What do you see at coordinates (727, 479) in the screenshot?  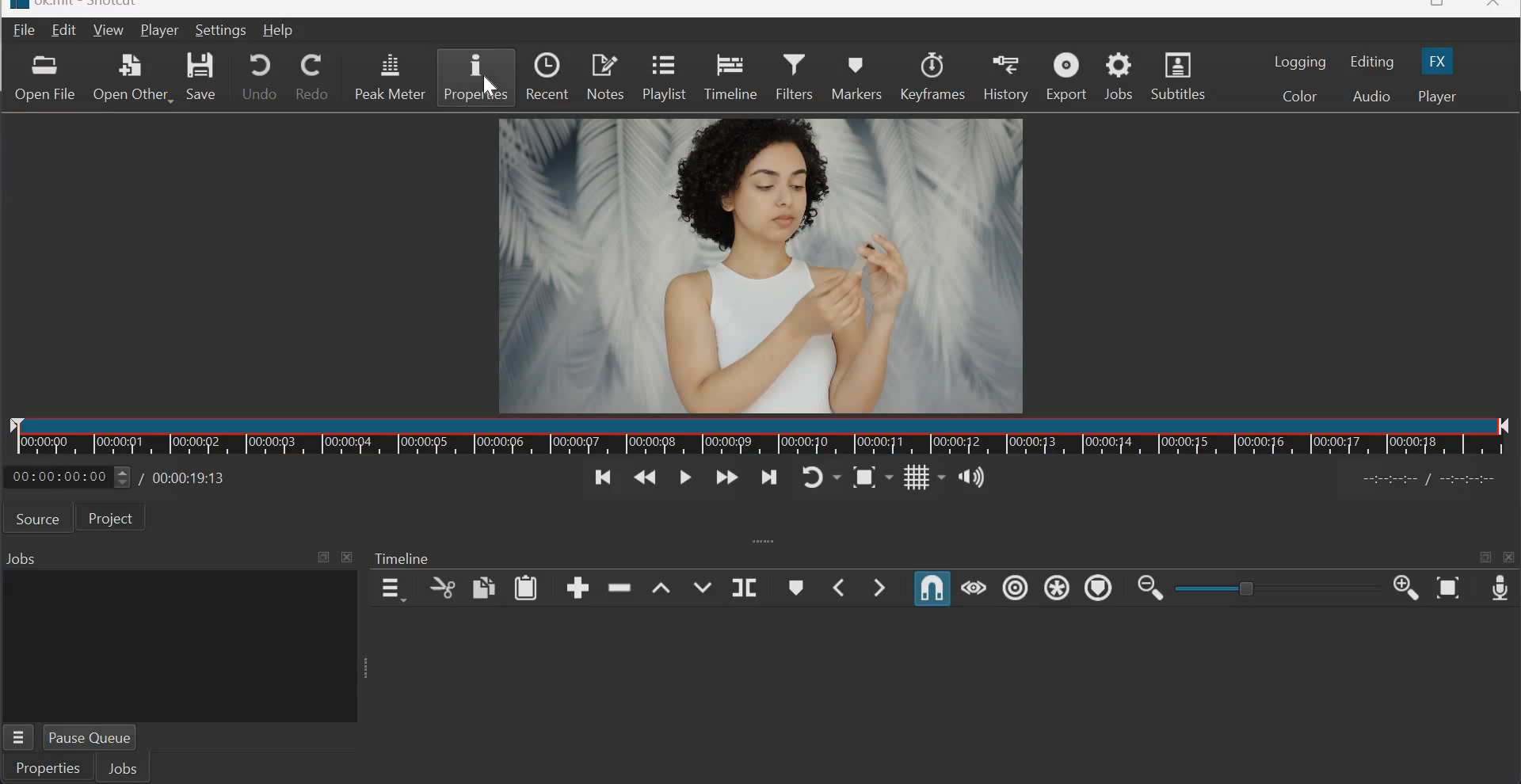 I see `Play quickly forwards` at bounding box center [727, 479].